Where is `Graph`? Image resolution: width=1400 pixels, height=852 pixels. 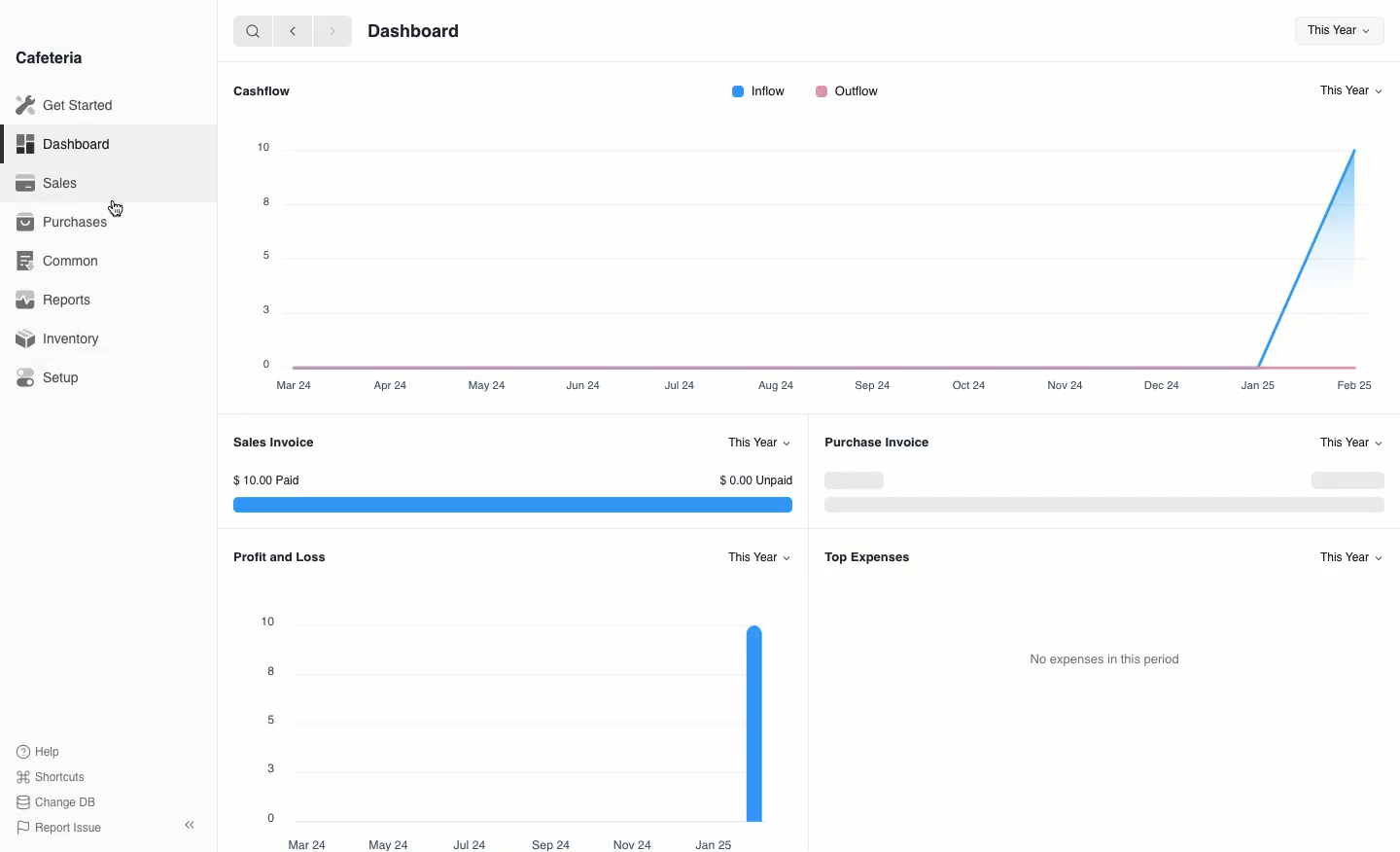
Graph is located at coordinates (1109, 496).